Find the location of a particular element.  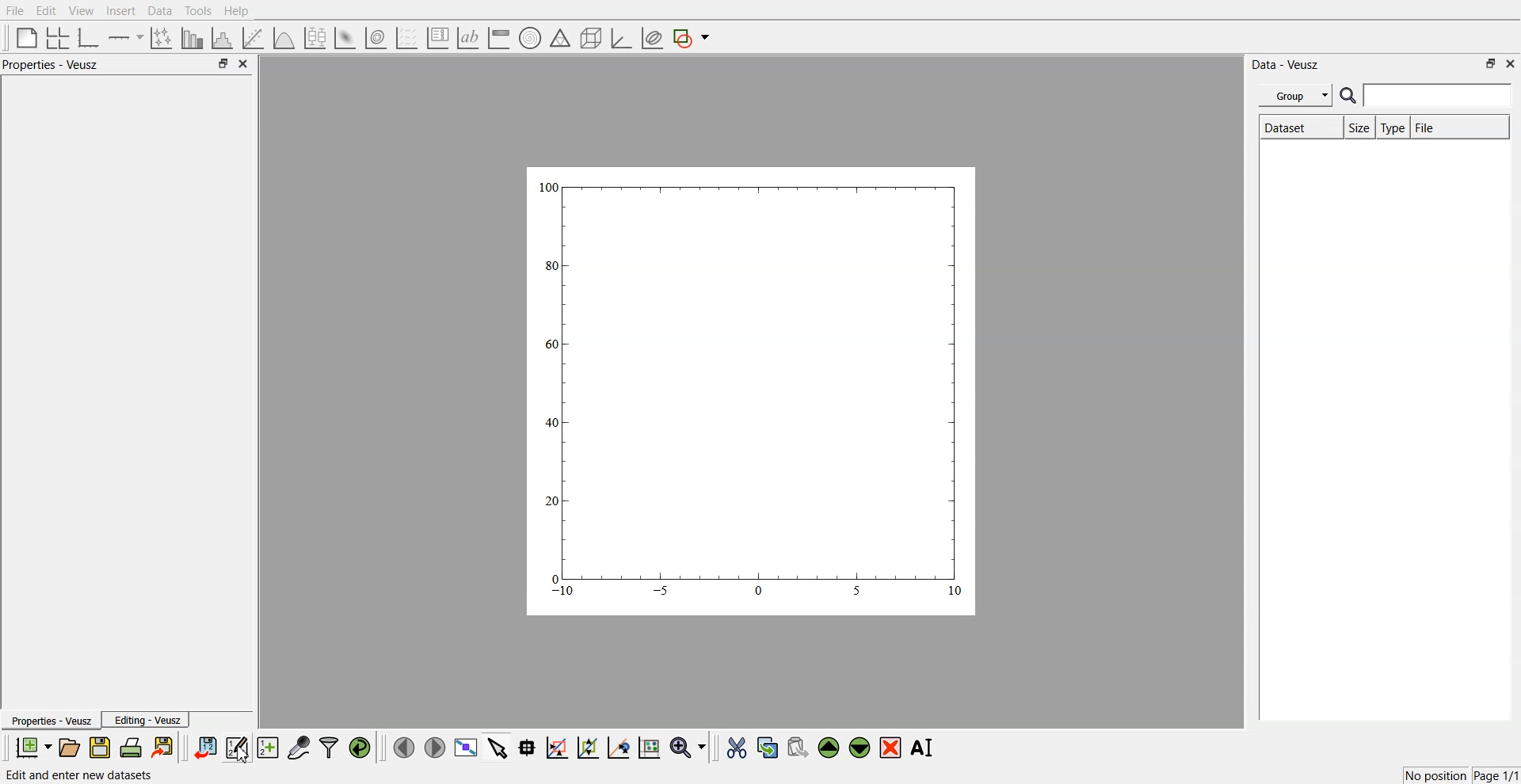

print is located at coordinates (135, 747).